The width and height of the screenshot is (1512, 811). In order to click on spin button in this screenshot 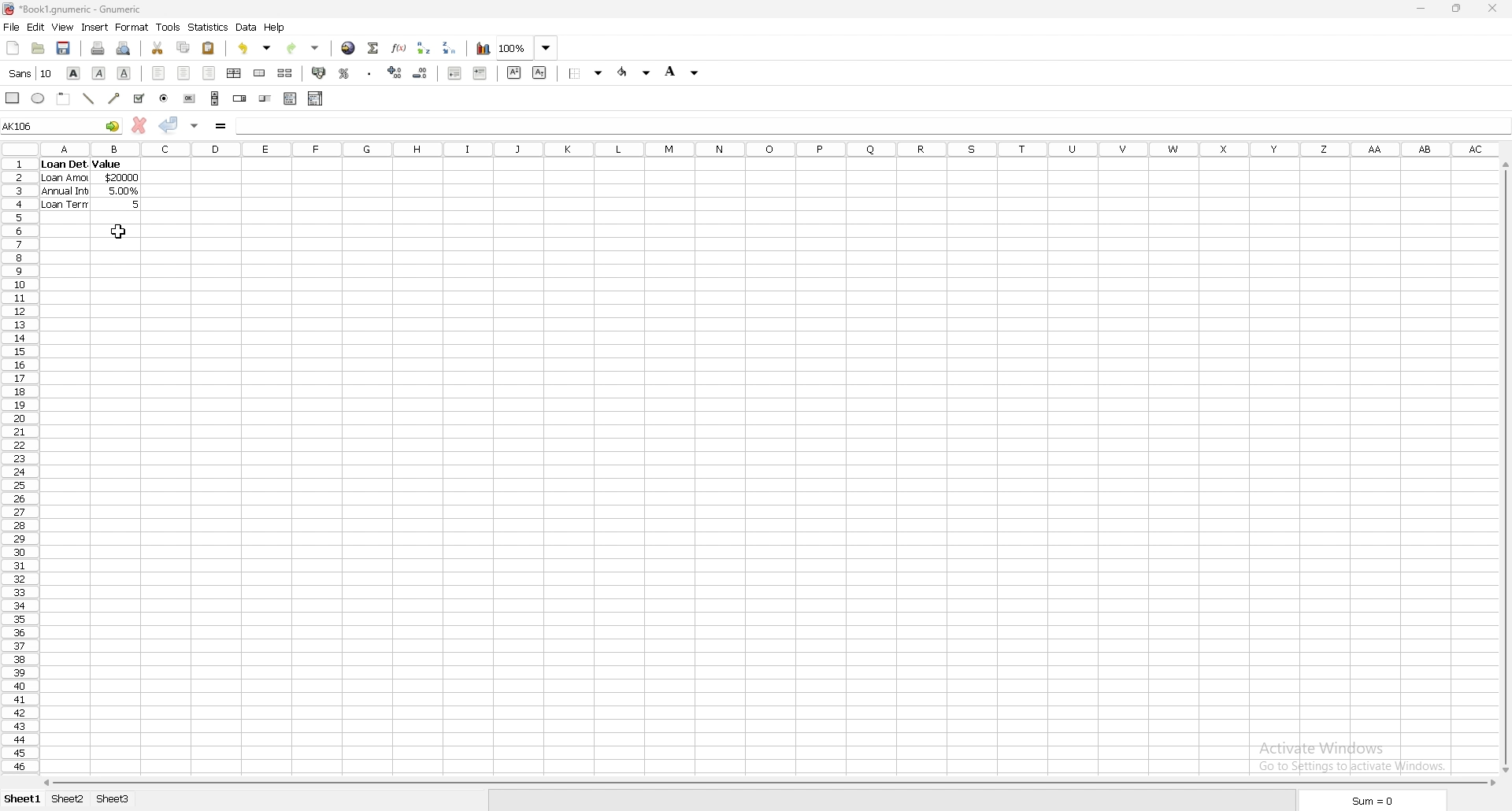, I will do `click(240, 98)`.